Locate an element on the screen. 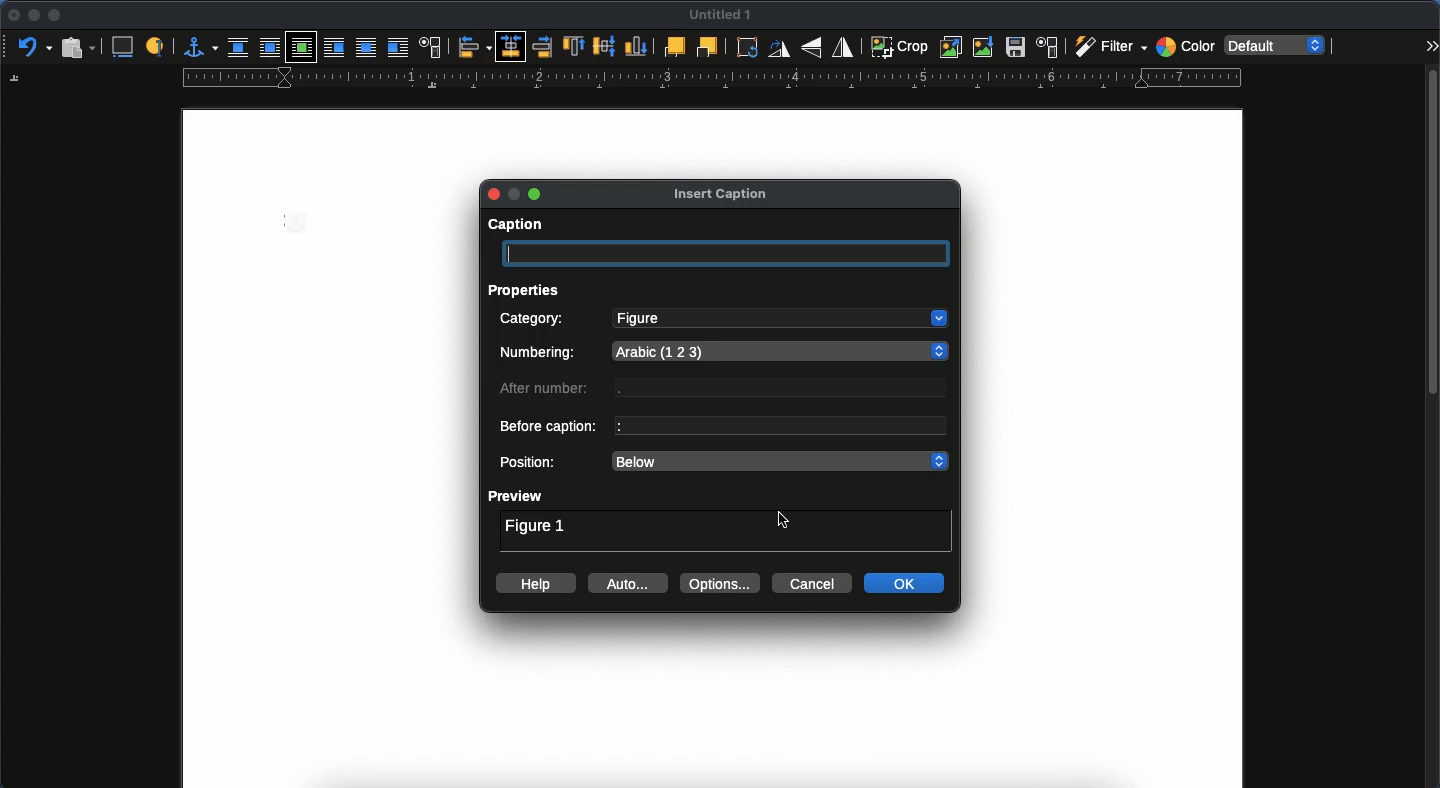 The image size is (1440, 788). save is located at coordinates (1018, 48).